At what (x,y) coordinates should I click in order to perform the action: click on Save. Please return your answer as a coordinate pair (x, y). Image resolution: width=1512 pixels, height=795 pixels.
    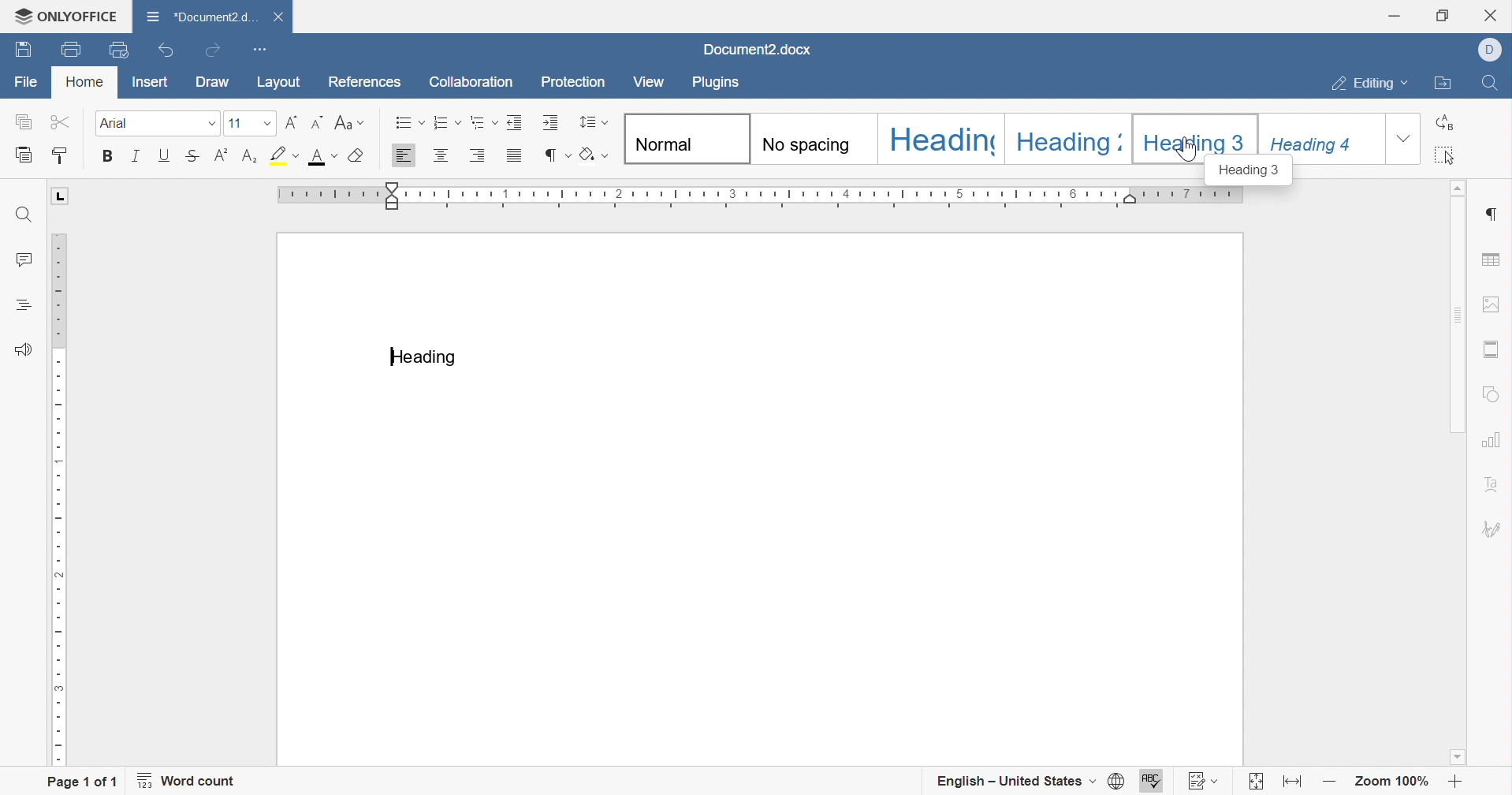
    Looking at the image, I should click on (68, 50).